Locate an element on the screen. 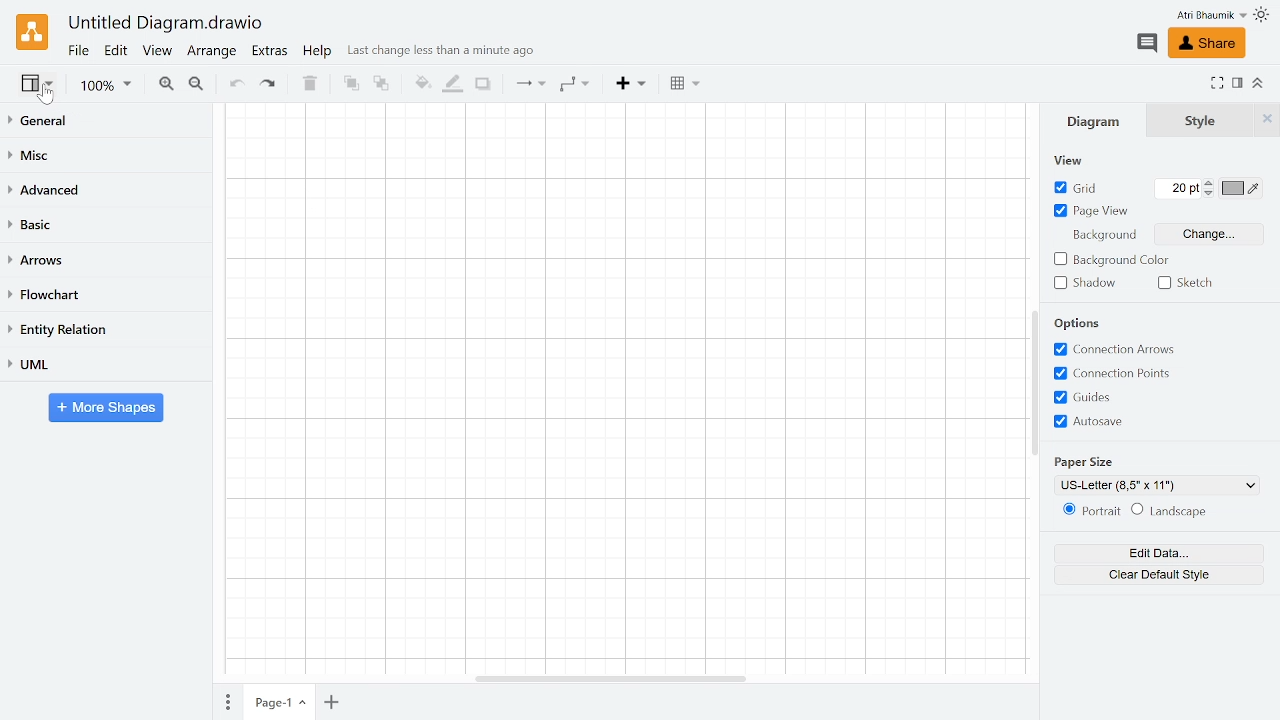 The width and height of the screenshot is (1280, 720). Arrows is located at coordinates (105, 262).